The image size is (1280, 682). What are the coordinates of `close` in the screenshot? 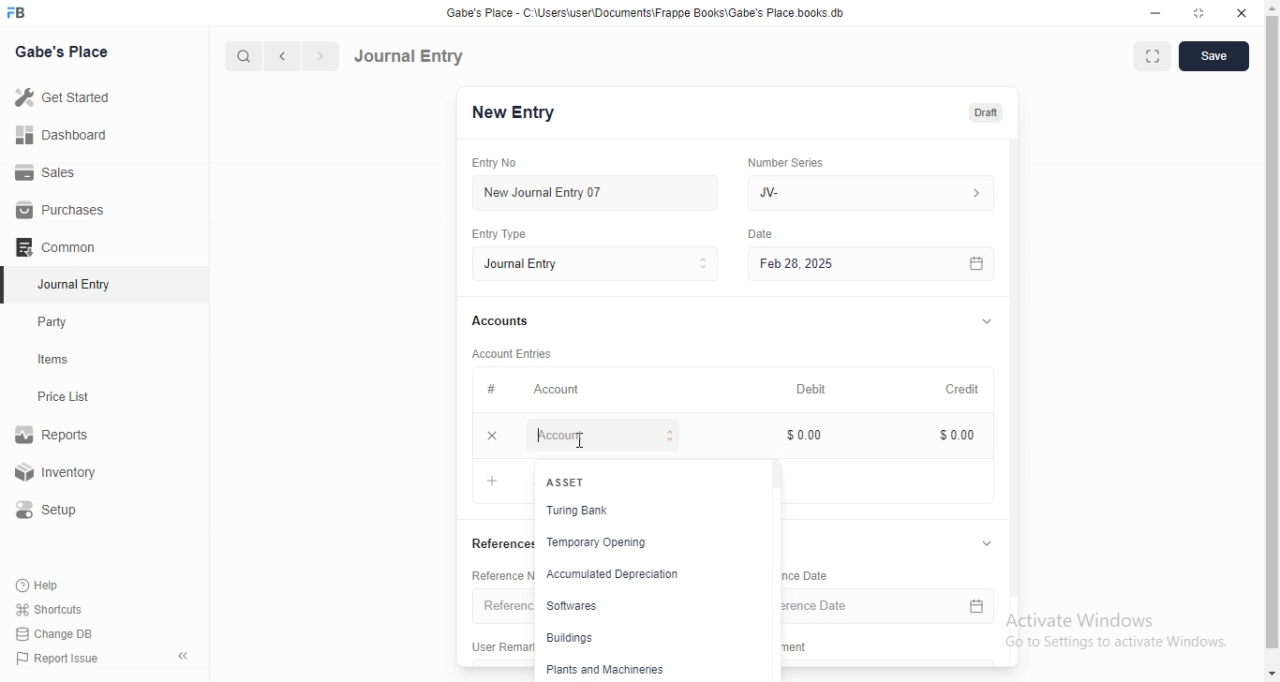 It's located at (1241, 12).